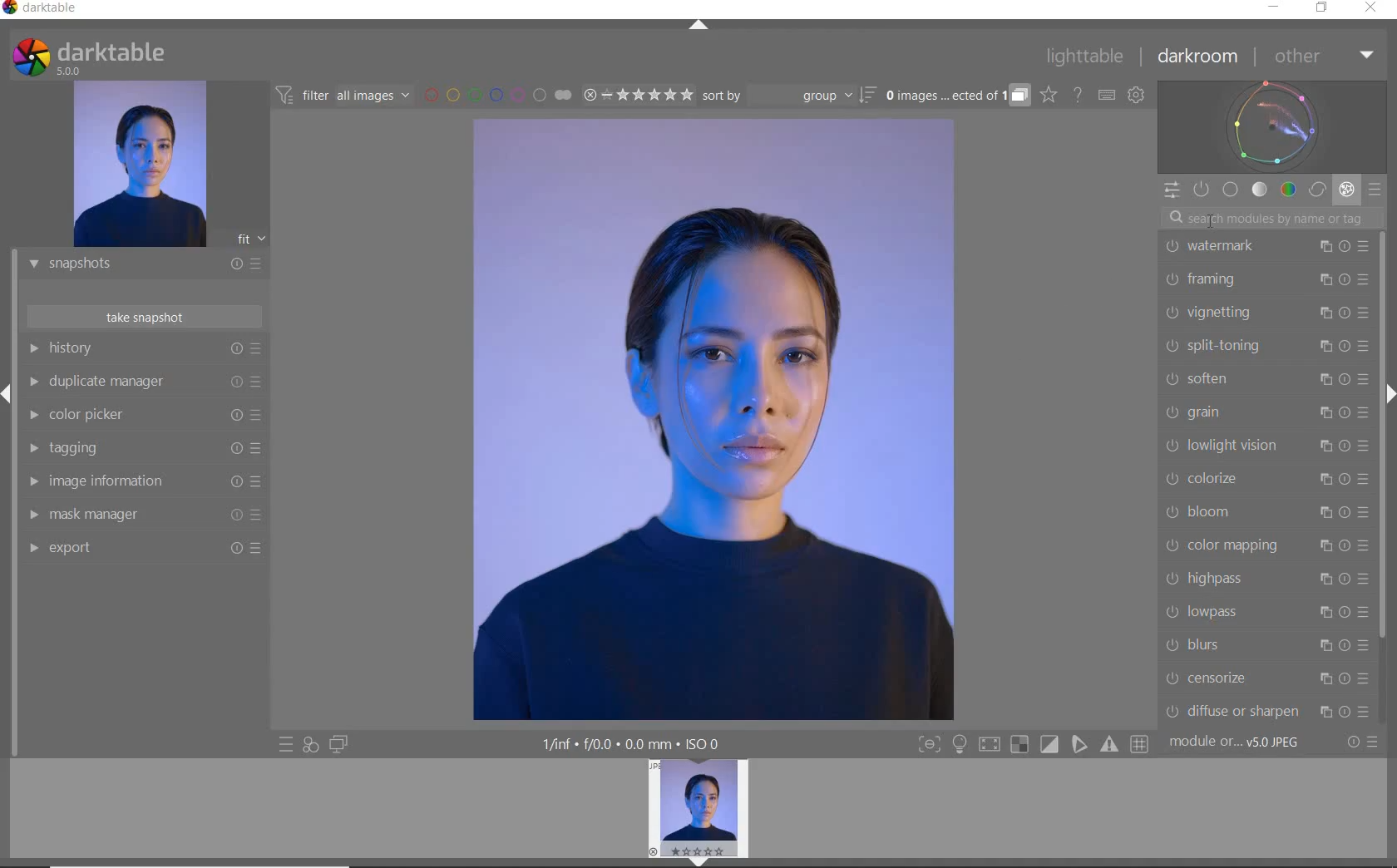 This screenshot has height=868, width=1397. What do you see at coordinates (146, 352) in the screenshot?
I see `HISTORY` at bounding box center [146, 352].